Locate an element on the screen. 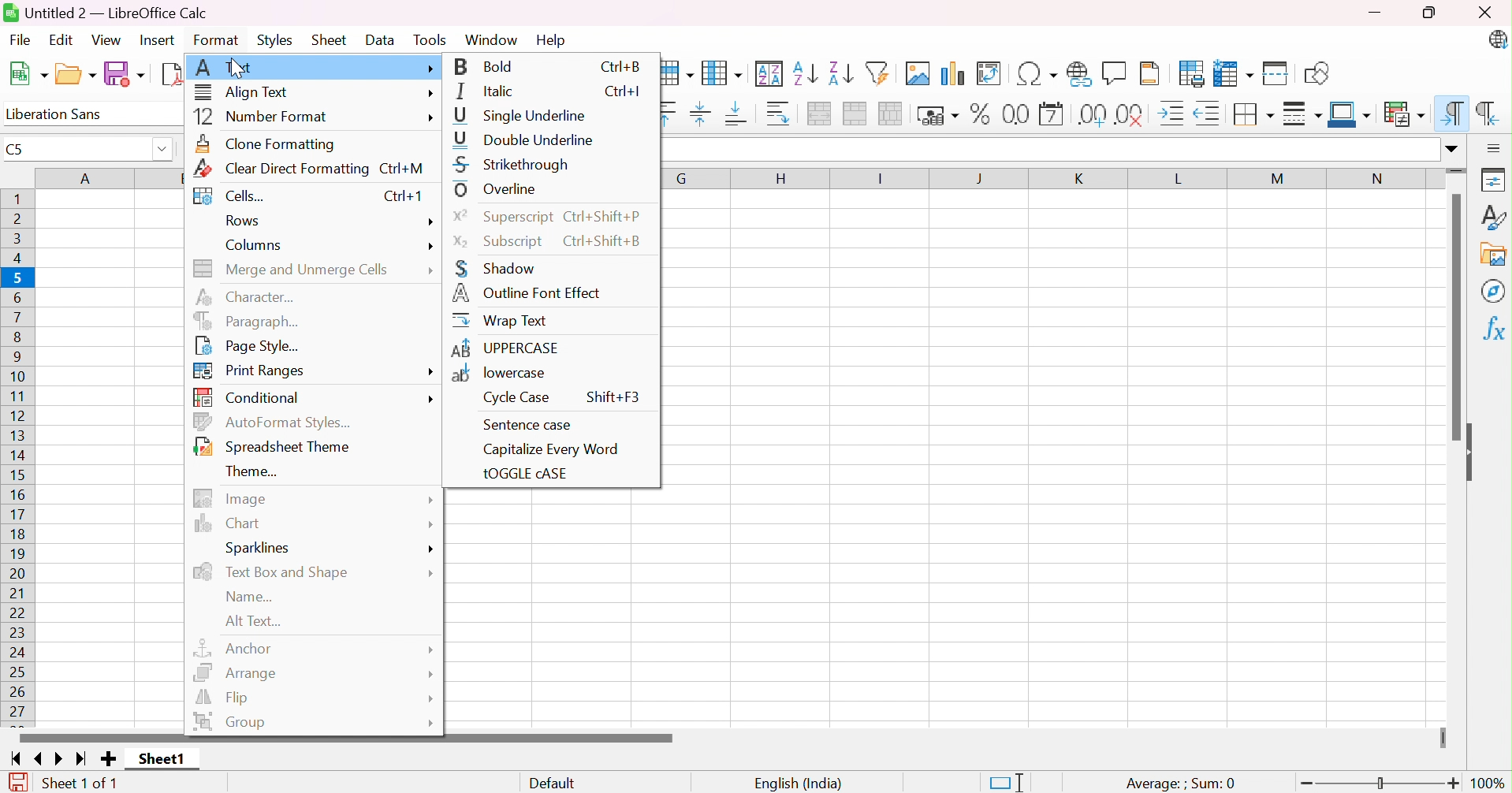 The height and width of the screenshot is (793, 1512). Drop Down is located at coordinates (1452, 146).